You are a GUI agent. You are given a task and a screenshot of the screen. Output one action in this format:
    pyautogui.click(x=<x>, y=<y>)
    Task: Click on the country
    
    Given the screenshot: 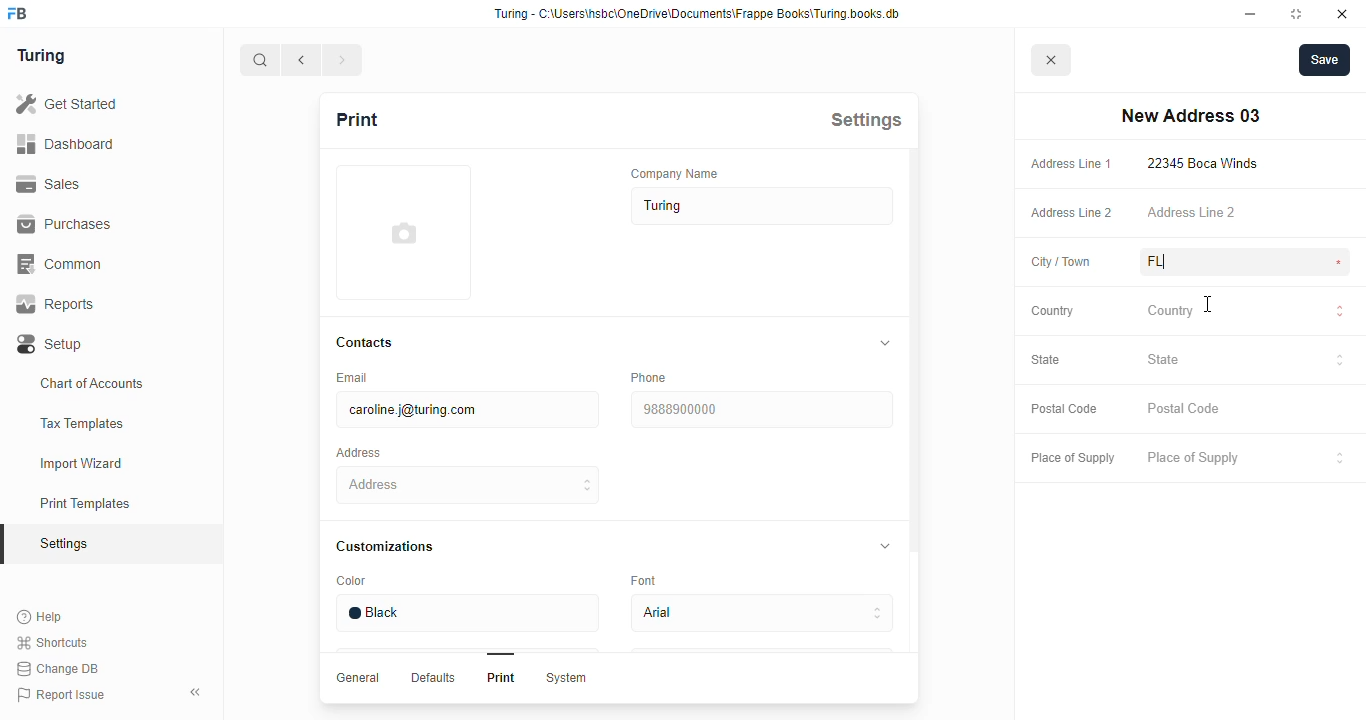 What is the action you would take?
    pyautogui.click(x=1053, y=311)
    